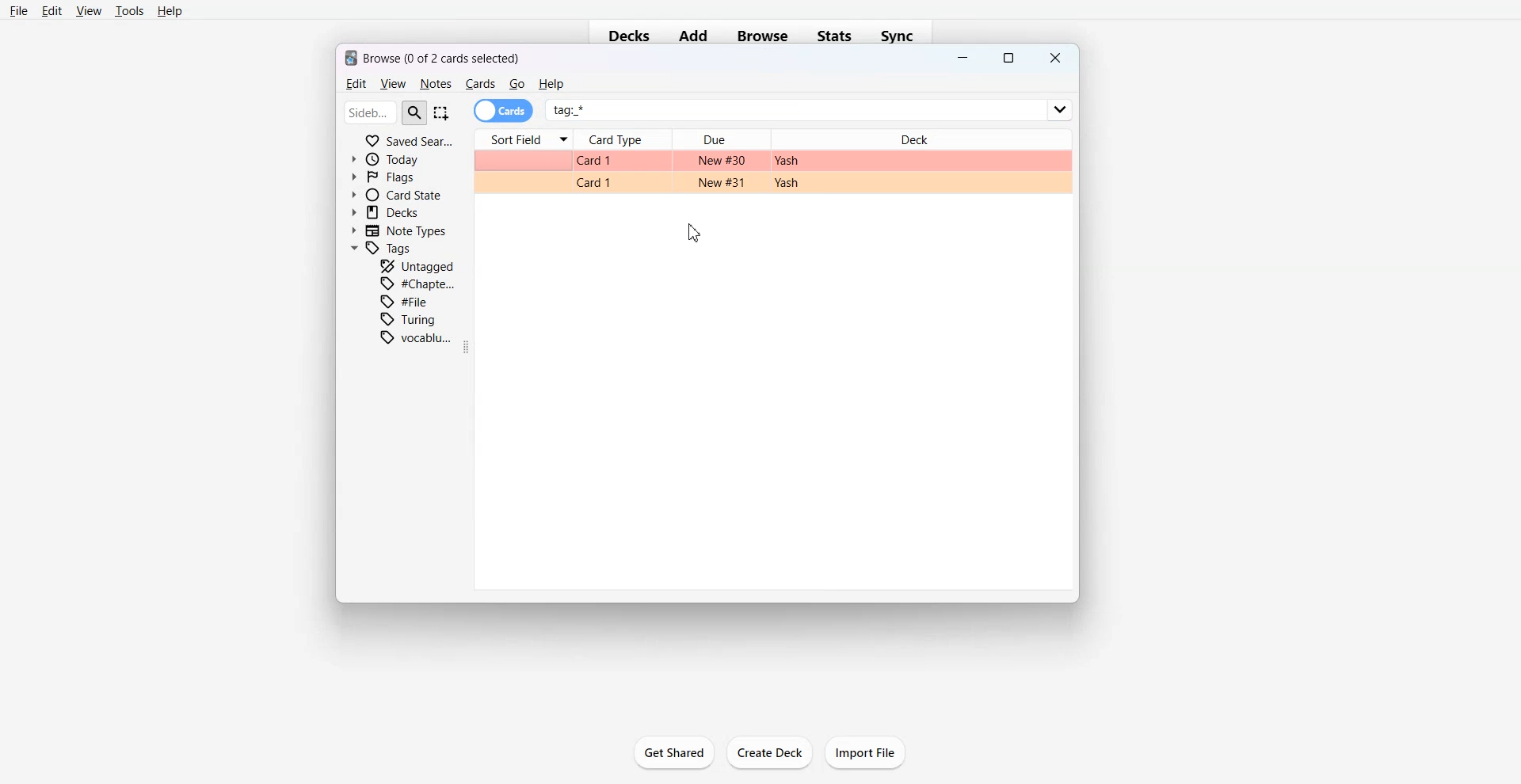  I want to click on Maximize, so click(1008, 59).